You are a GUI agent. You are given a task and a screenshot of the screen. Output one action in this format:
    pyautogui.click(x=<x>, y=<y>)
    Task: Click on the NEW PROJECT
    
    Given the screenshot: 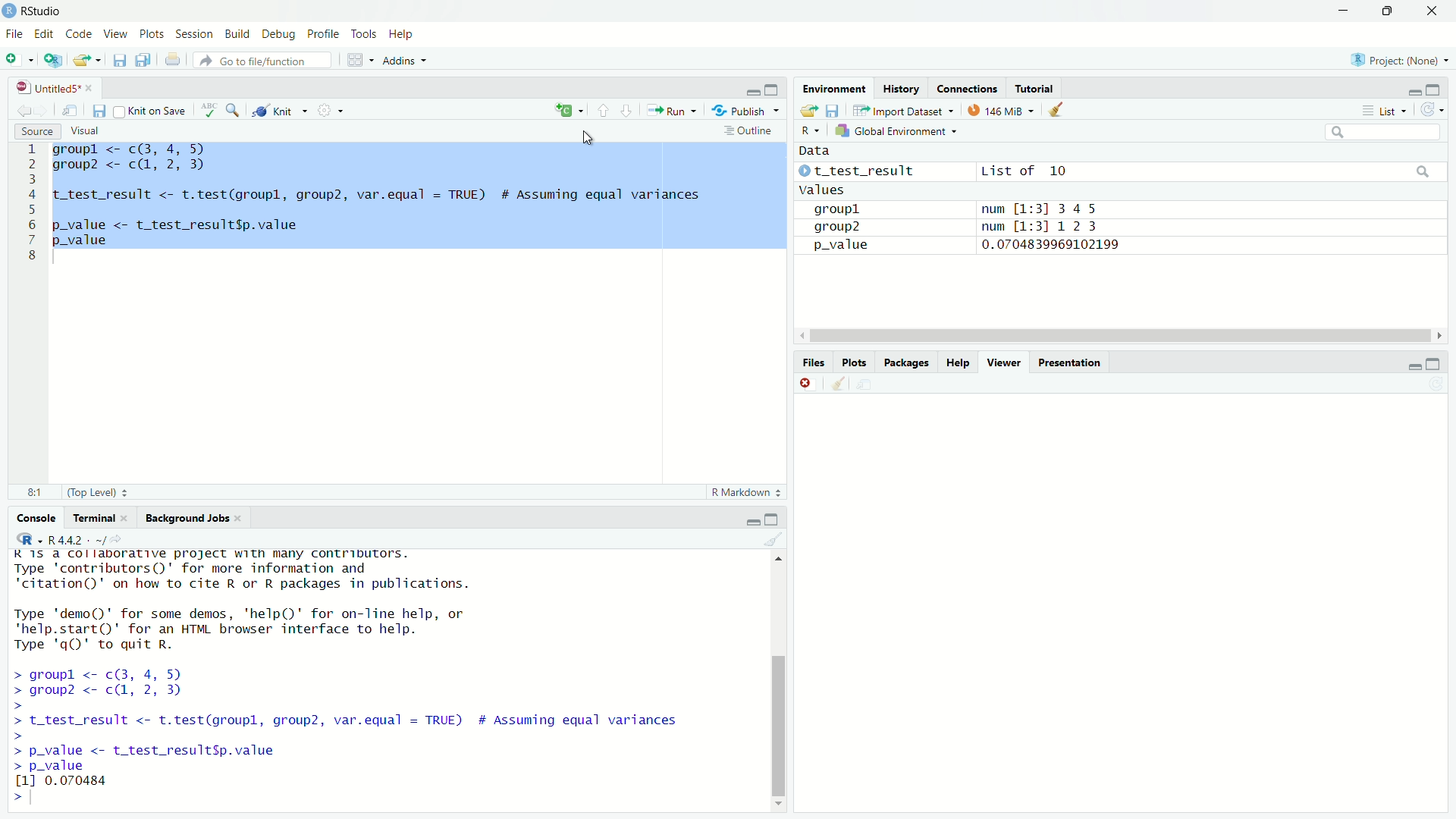 What is the action you would take?
    pyautogui.click(x=54, y=58)
    